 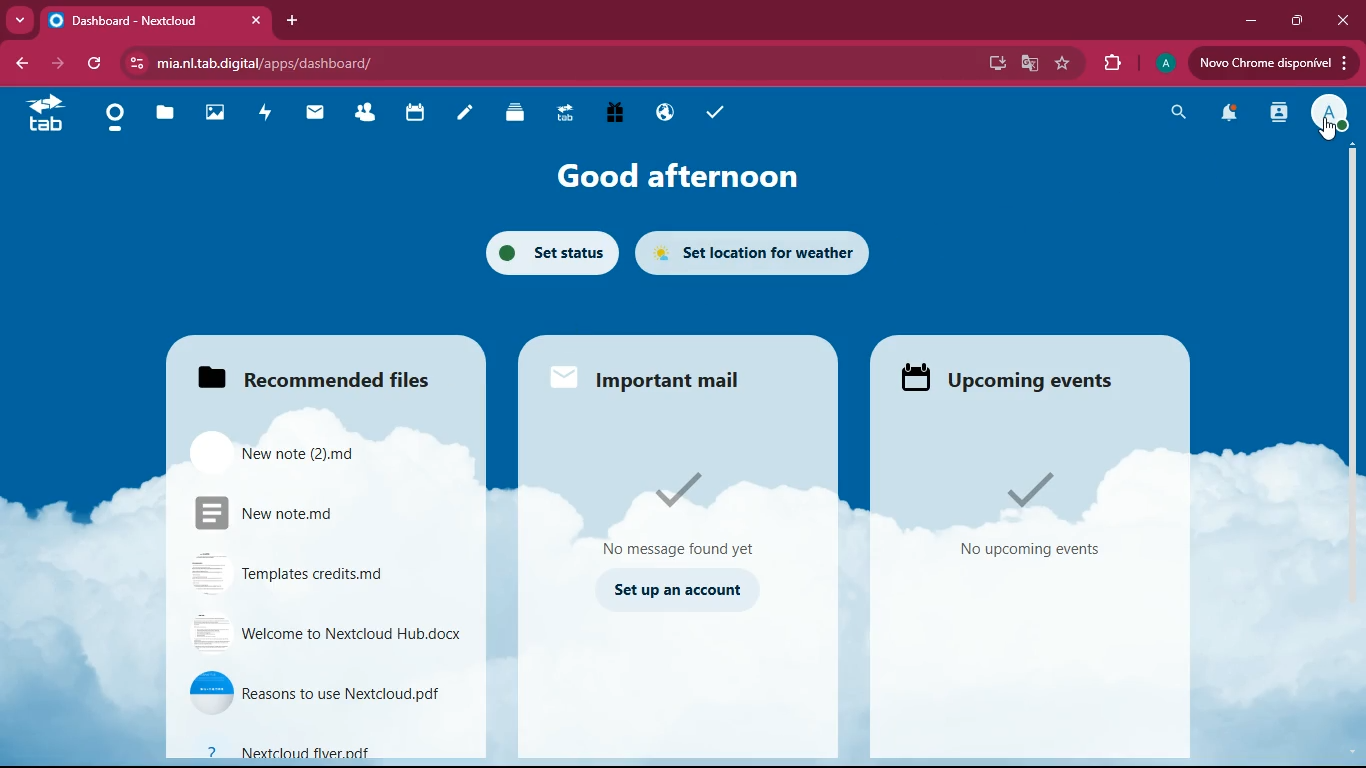 I want to click on friends, so click(x=365, y=114).